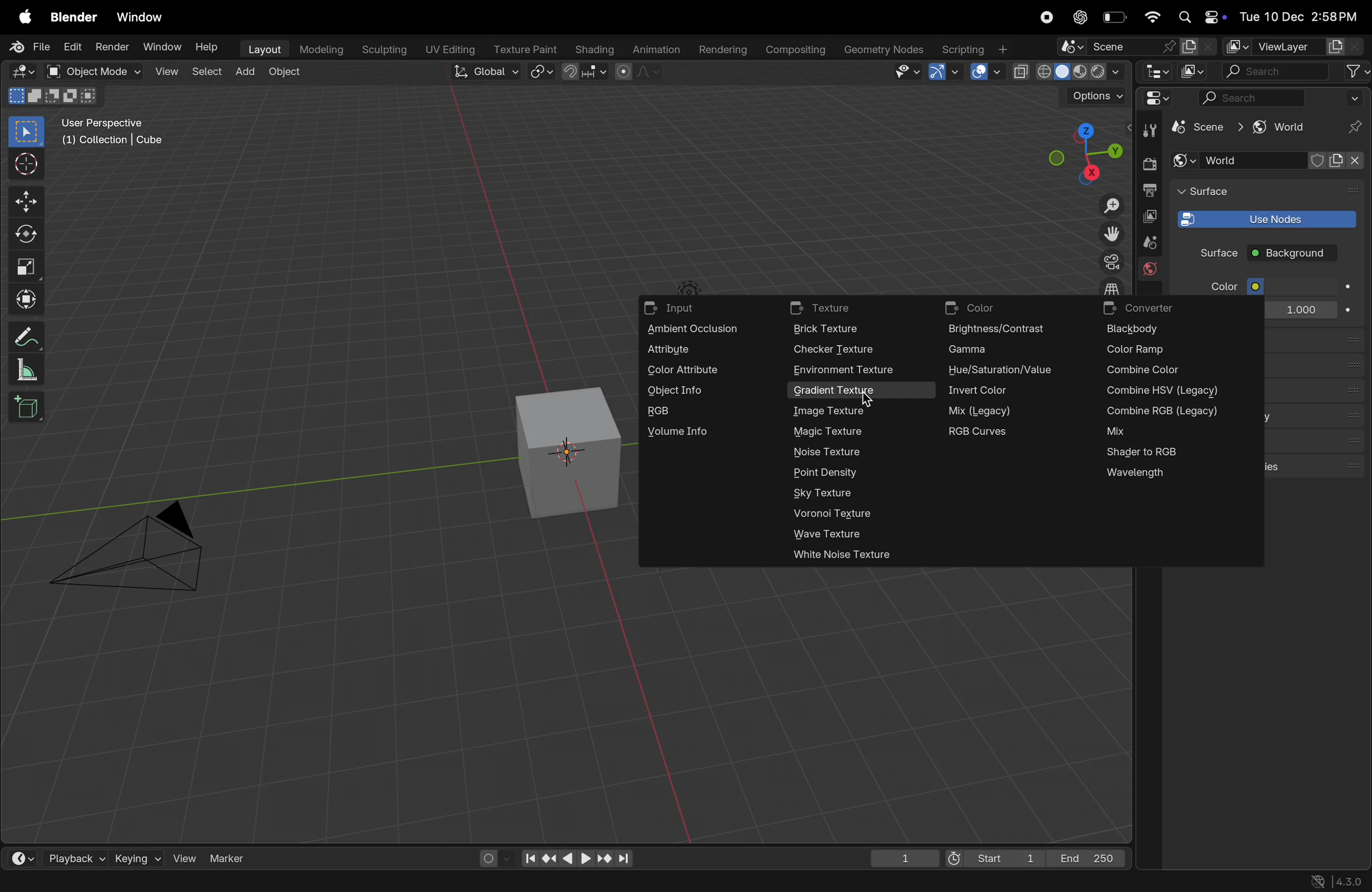  Describe the element at coordinates (74, 858) in the screenshot. I see `` at that location.